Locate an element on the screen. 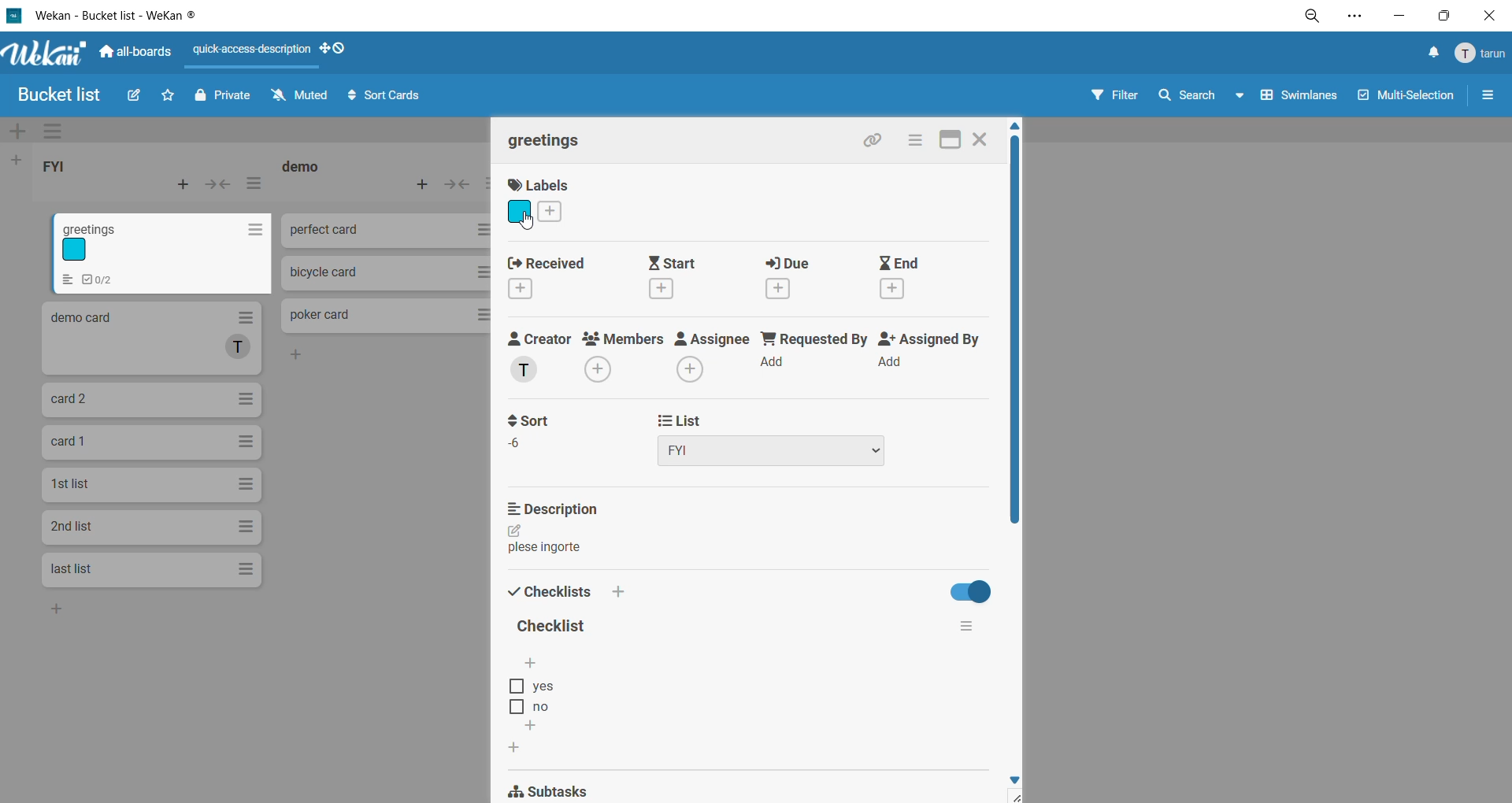 The image size is (1512, 803). greetings is located at coordinates (549, 140).